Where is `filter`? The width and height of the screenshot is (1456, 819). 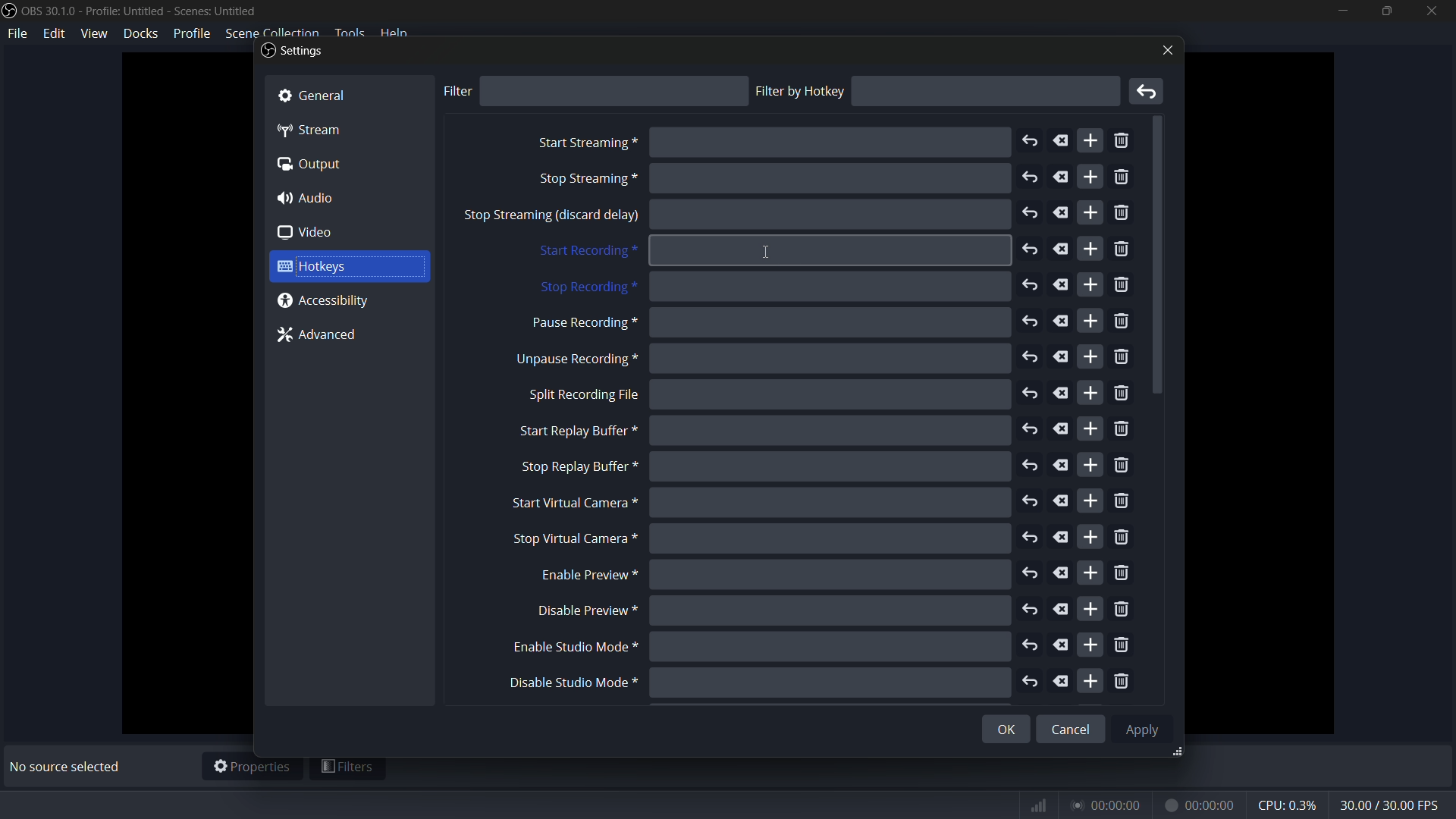
filter is located at coordinates (457, 91).